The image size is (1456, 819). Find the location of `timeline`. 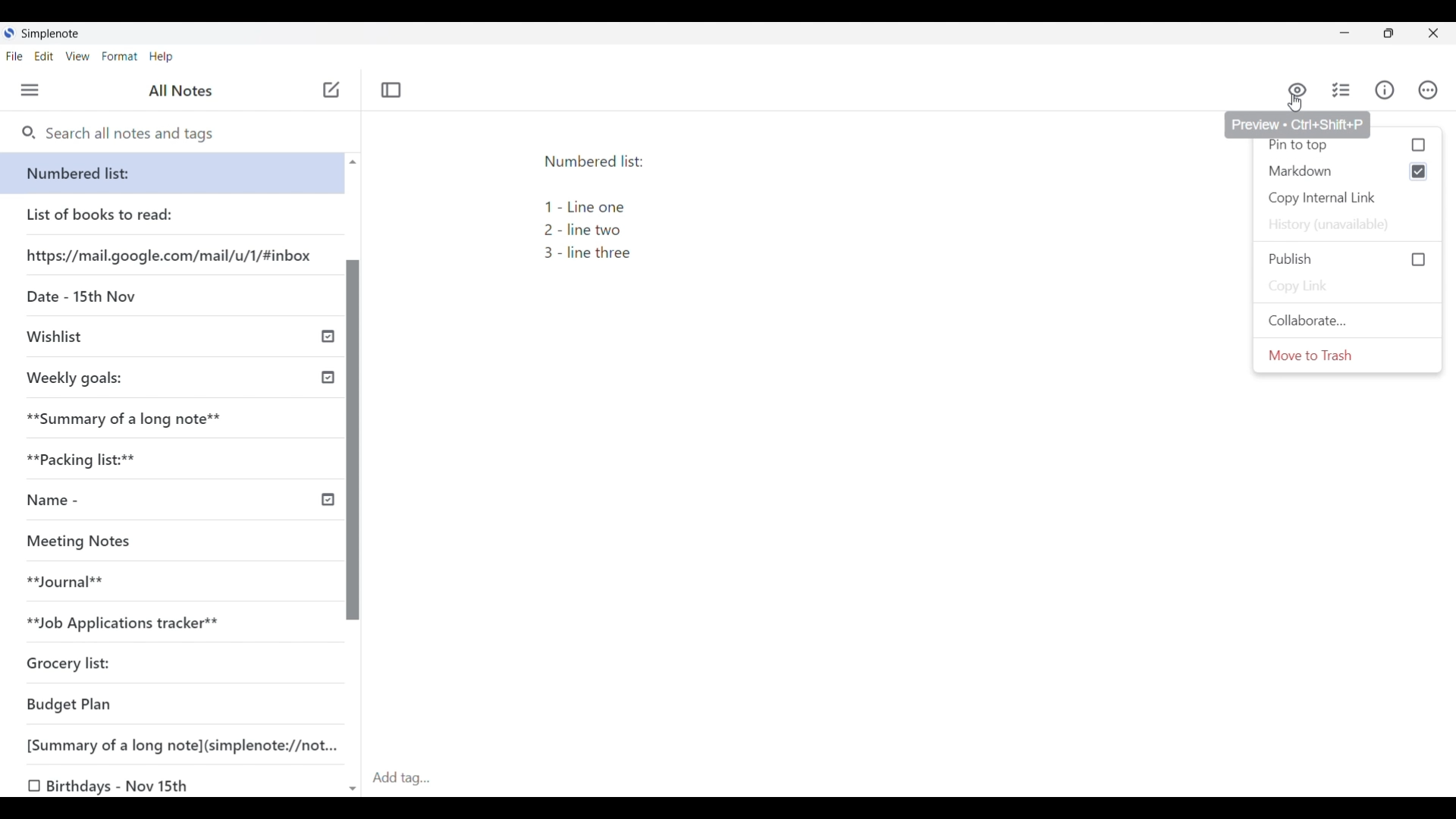

timeline is located at coordinates (326, 335).